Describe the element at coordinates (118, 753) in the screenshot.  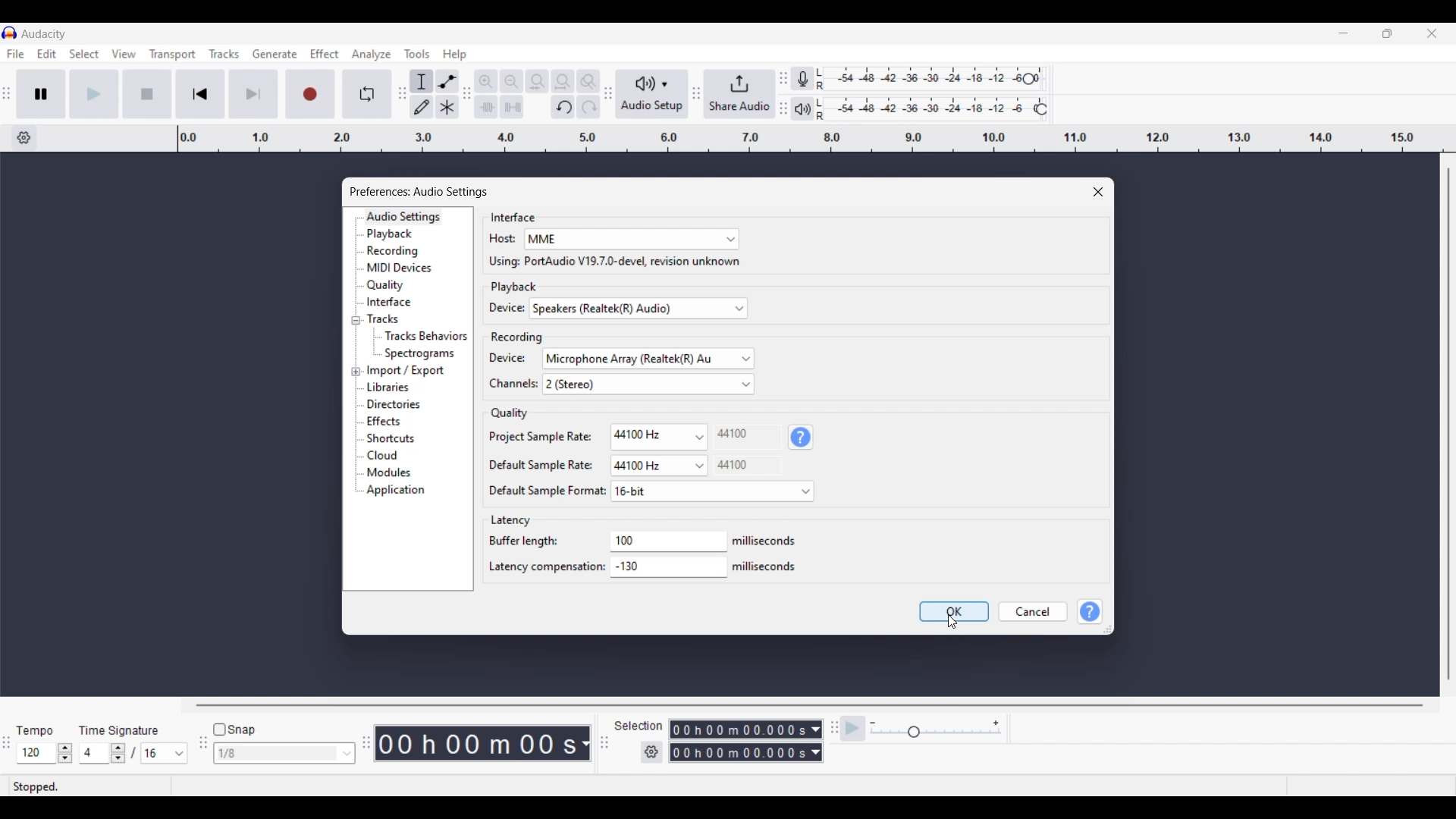
I see `Increase/Decrease time signature` at that location.